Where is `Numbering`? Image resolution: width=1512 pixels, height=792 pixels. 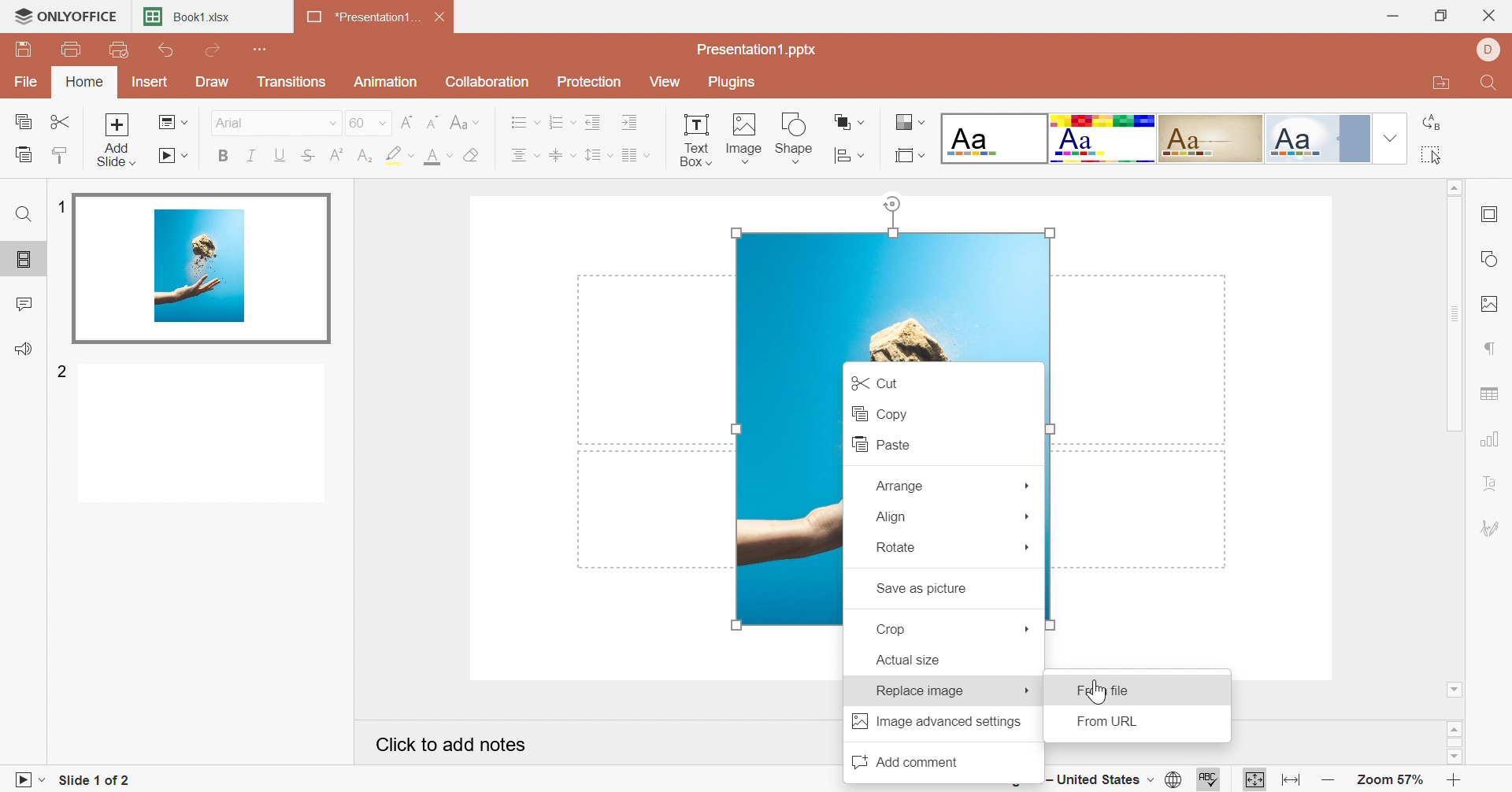 Numbering is located at coordinates (562, 121).